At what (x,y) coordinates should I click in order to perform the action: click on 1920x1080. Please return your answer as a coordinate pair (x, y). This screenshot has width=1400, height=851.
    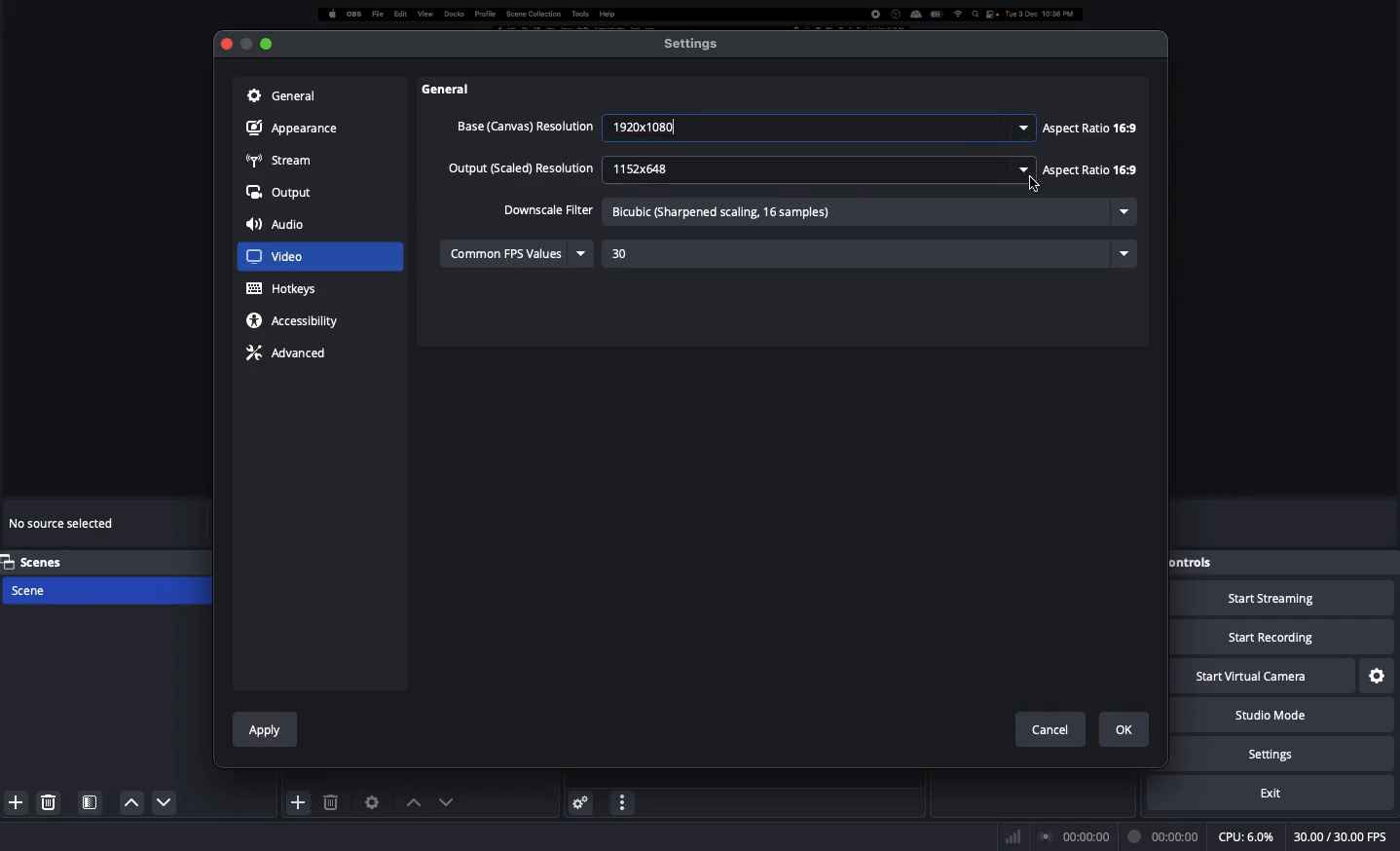
    Looking at the image, I should click on (819, 126).